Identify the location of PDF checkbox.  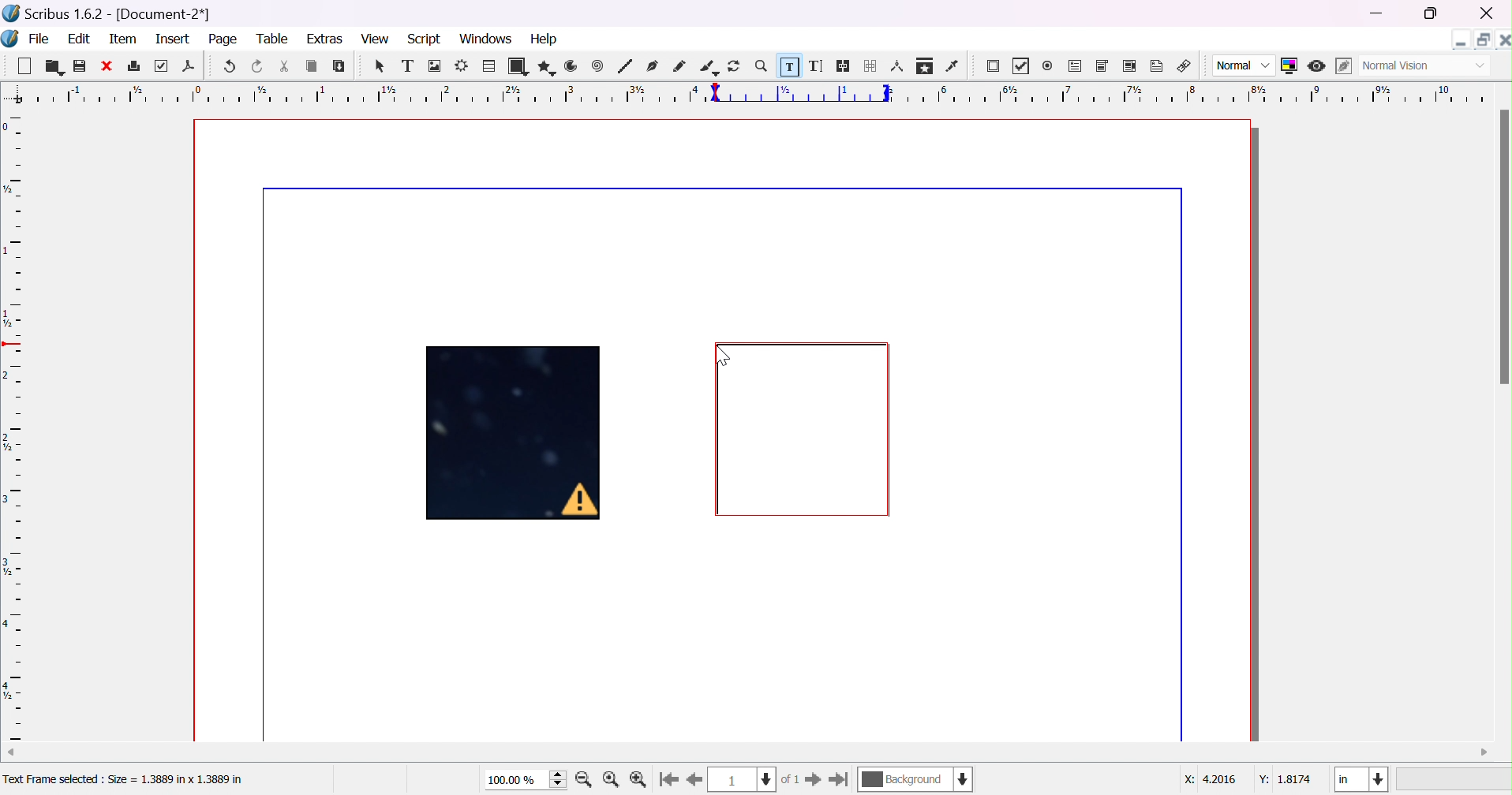
(1025, 66).